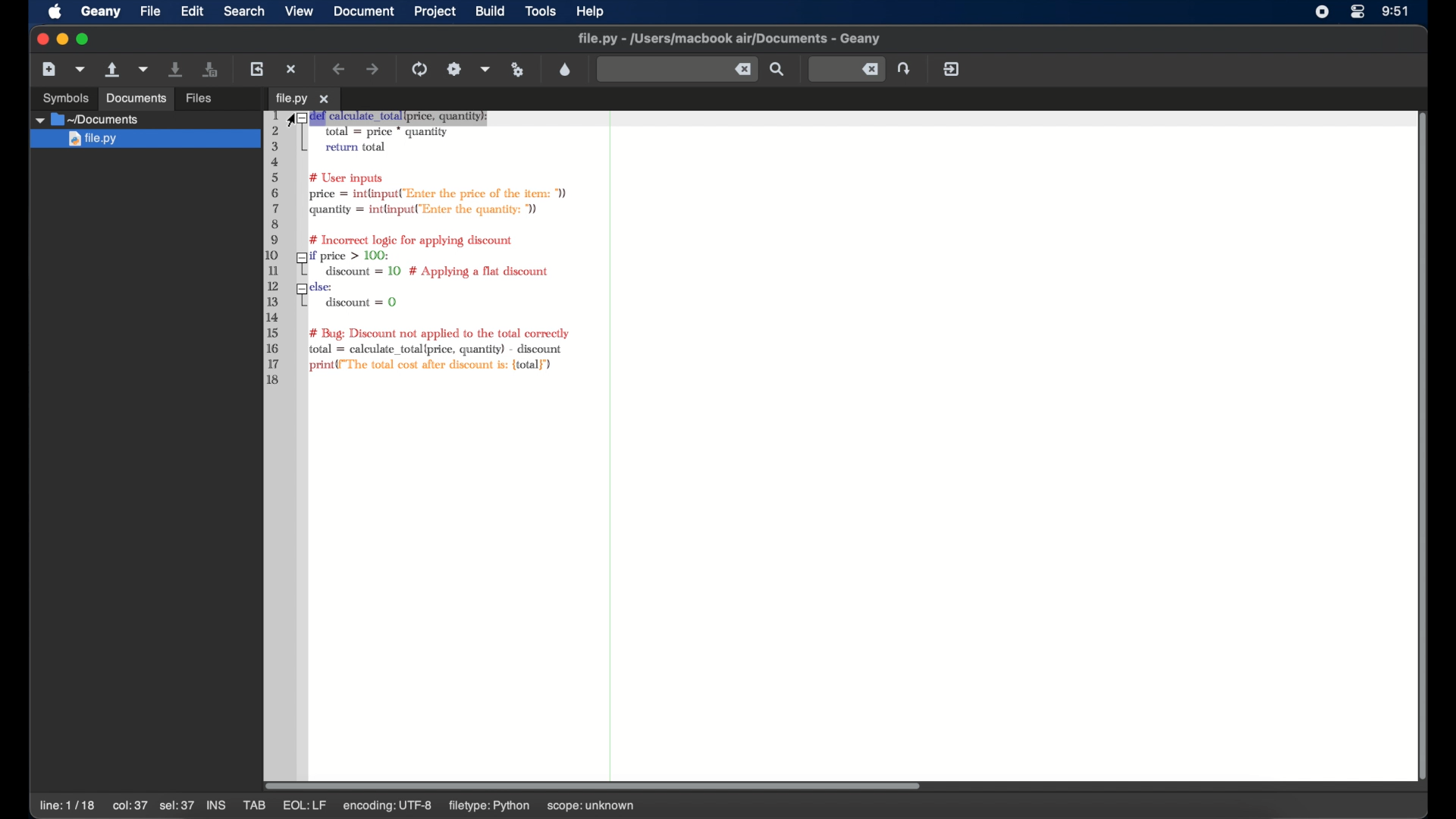 This screenshot has width=1456, height=819. Describe the element at coordinates (244, 11) in the screenshot. I see `search` at that location.